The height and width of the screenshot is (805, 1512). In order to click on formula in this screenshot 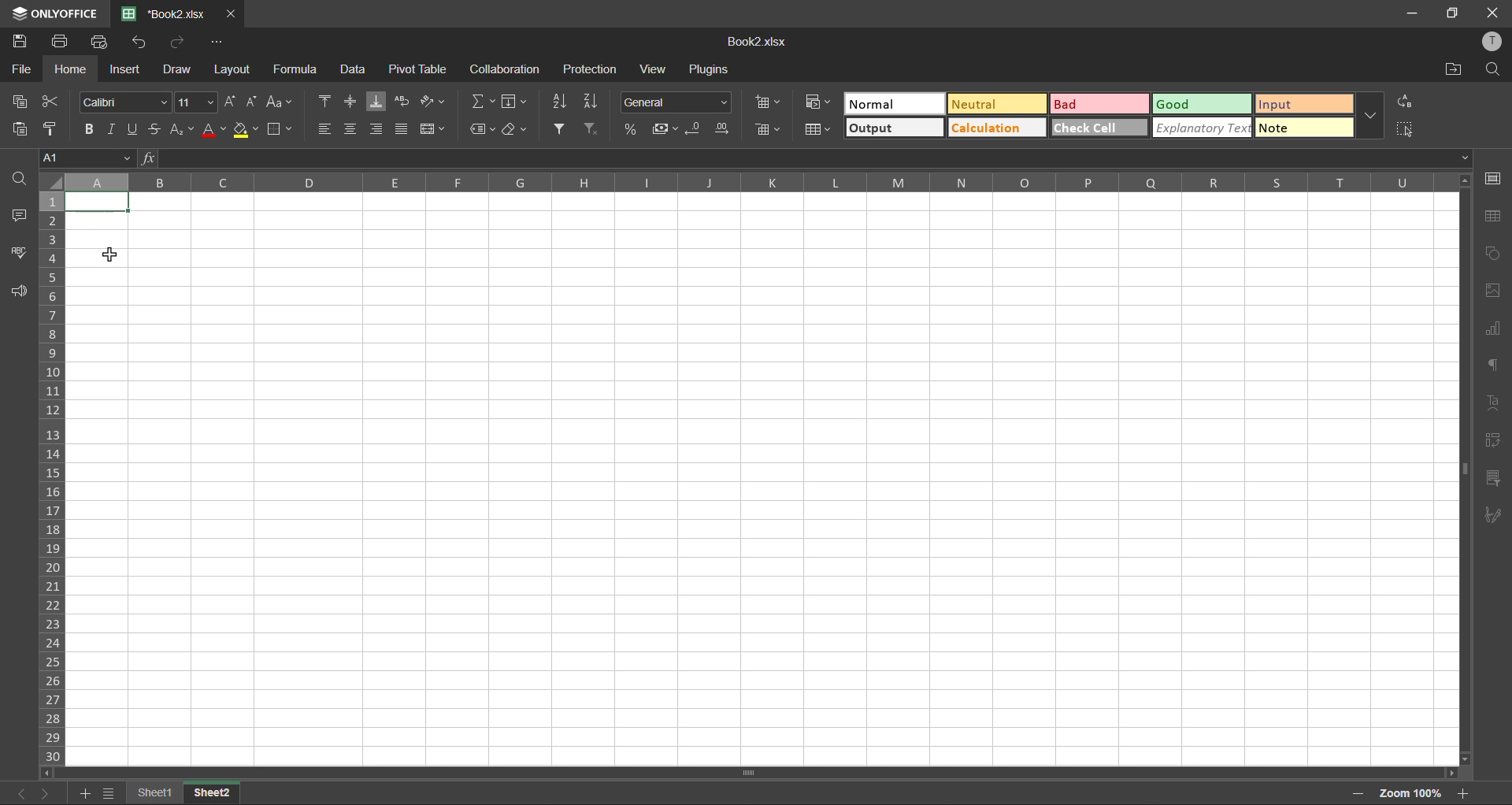, I will do `click(299, 69)`.